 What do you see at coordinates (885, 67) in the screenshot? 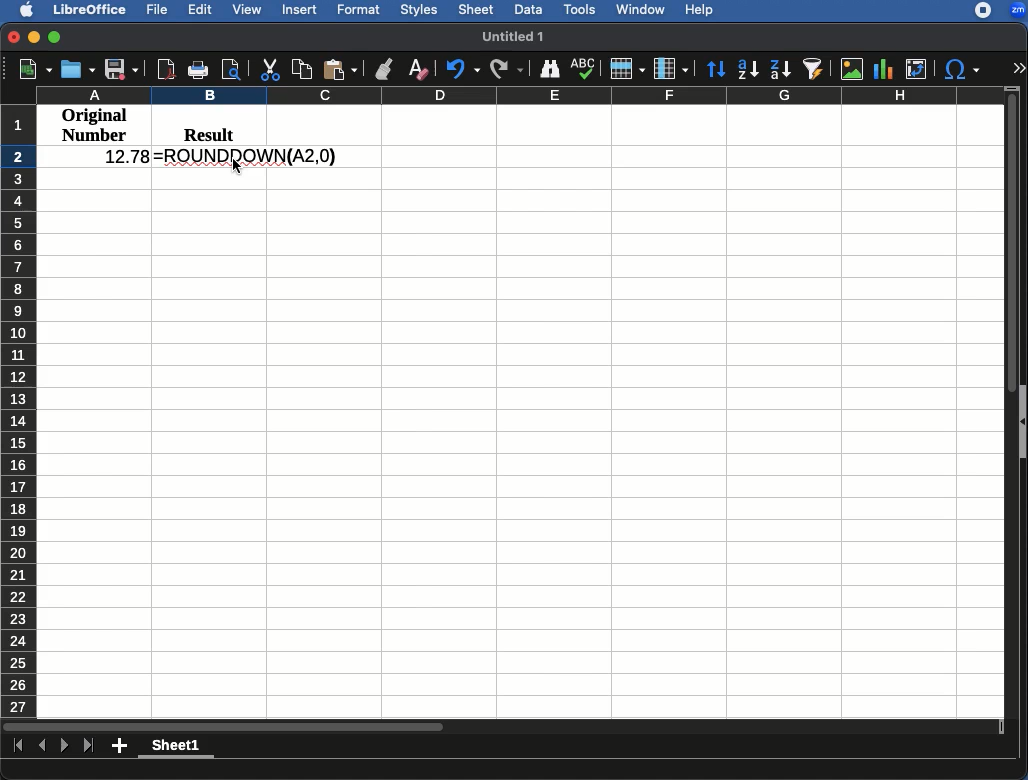
I see `Chart` at bounding box center [885, 67].